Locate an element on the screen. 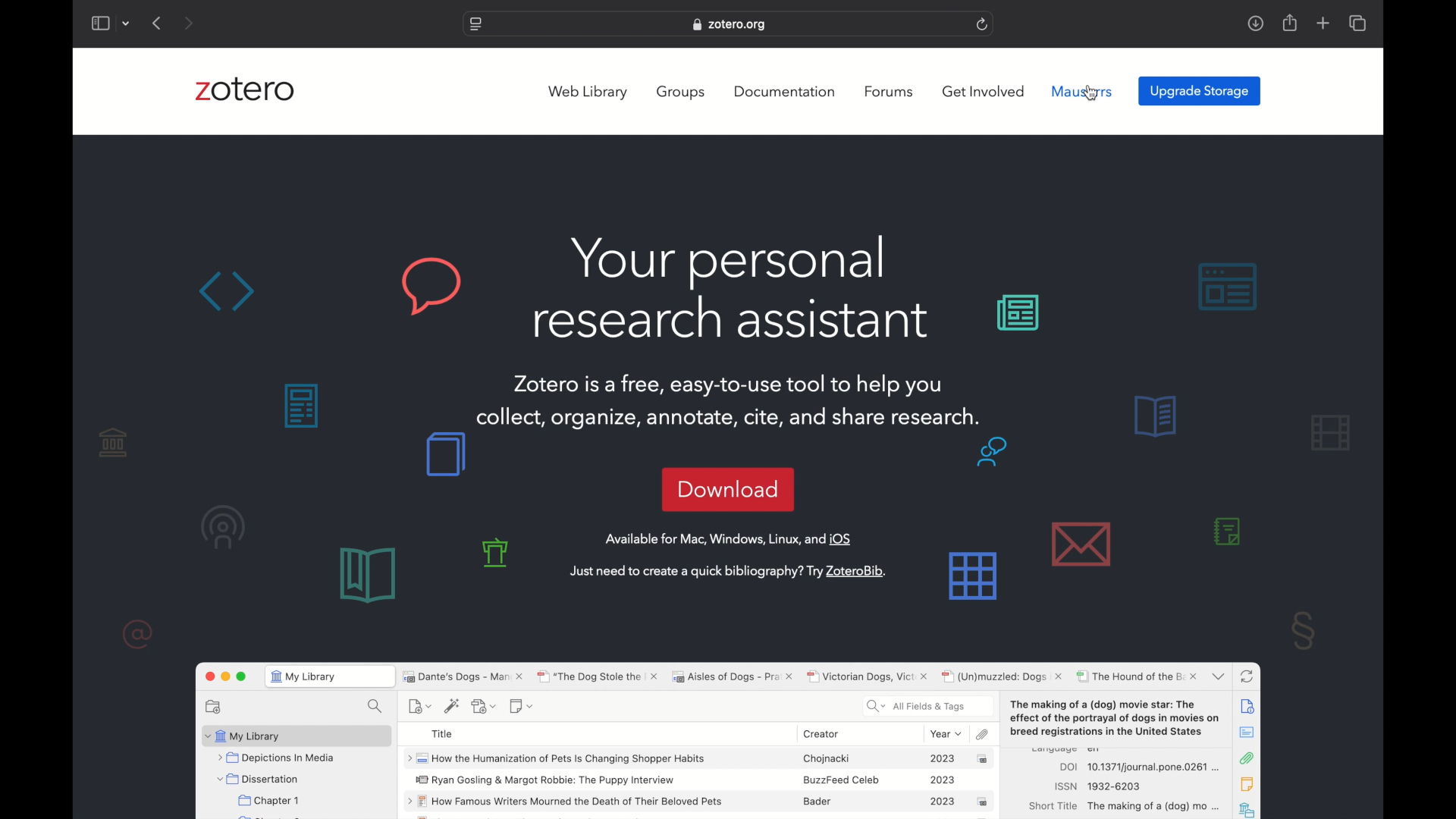  Zotero is a free, easy-to-use tool to help you
collect, organize, annotate, cite, and share research.
_— § is located at coordinates (723, 399).